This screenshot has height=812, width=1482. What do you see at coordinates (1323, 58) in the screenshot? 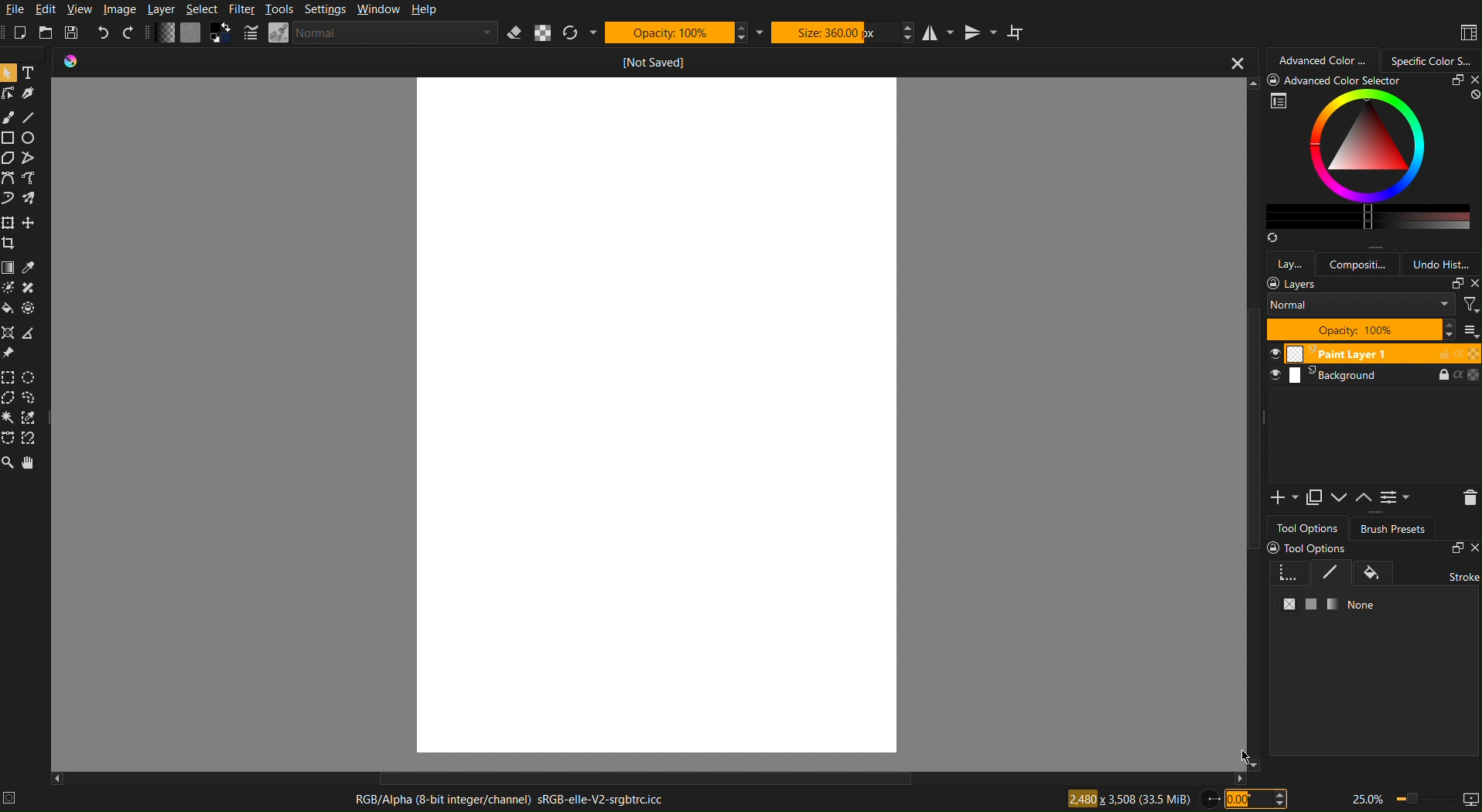
I see `Advanced Color Selector` at bounding box center [1323, 58].